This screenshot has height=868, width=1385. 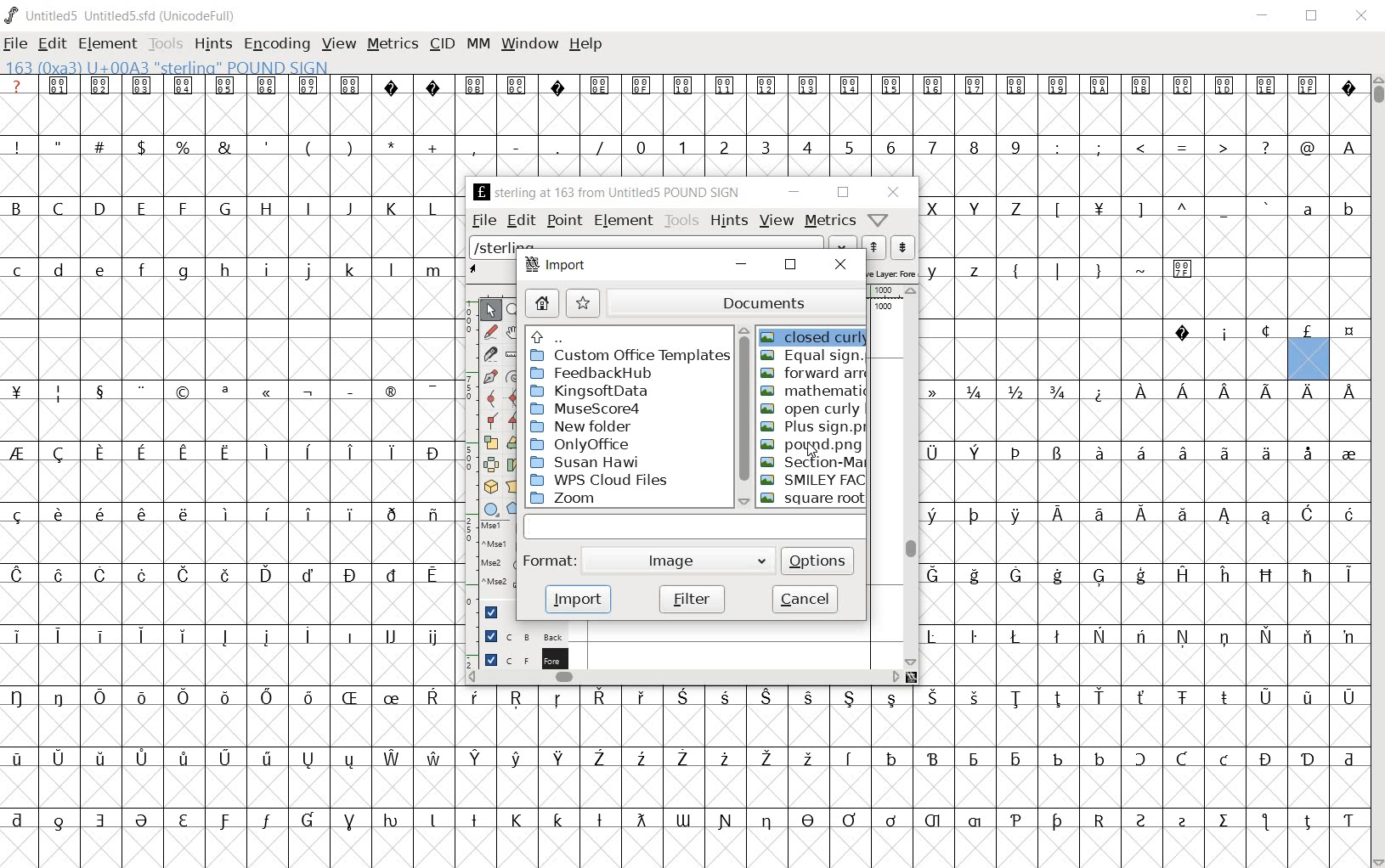 I want to click on Symbol, so click(x=1060, y=86).